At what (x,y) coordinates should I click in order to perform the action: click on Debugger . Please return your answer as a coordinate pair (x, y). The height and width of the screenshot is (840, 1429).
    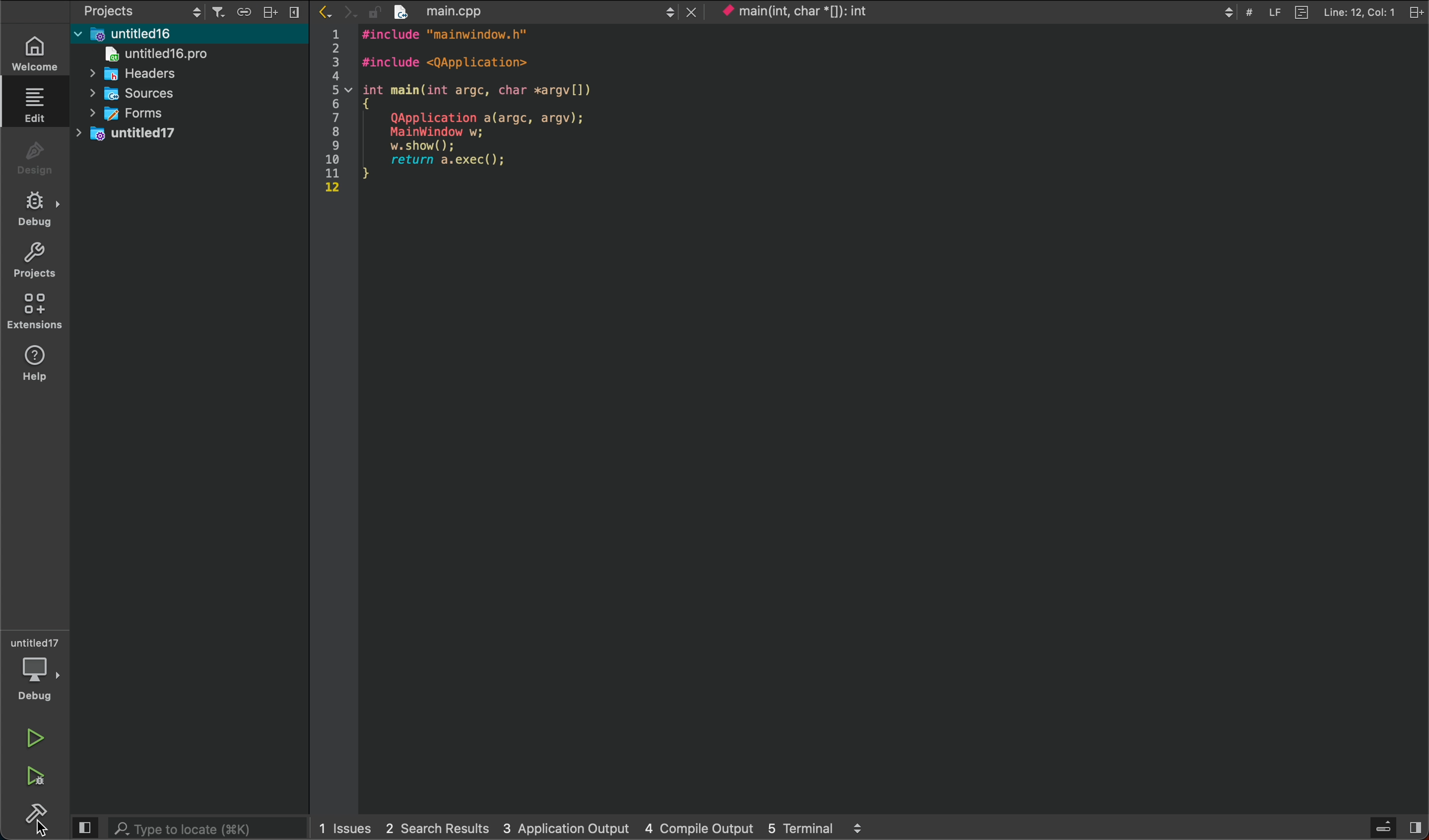
    Looking at the image, I should click on (36, 668).